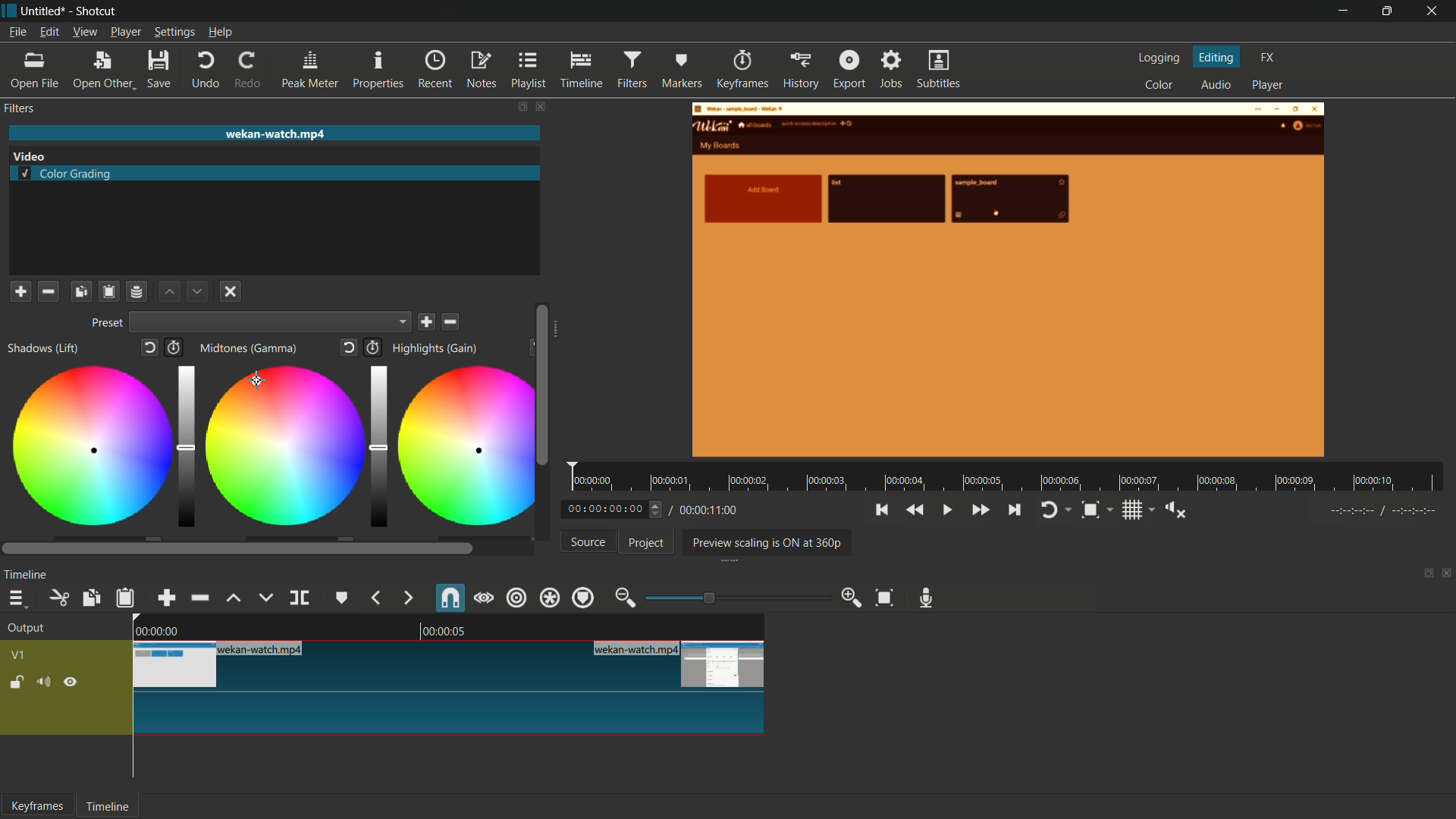 This screenshot has width=1456, height=819. I want to click on save, so click(162, 69).